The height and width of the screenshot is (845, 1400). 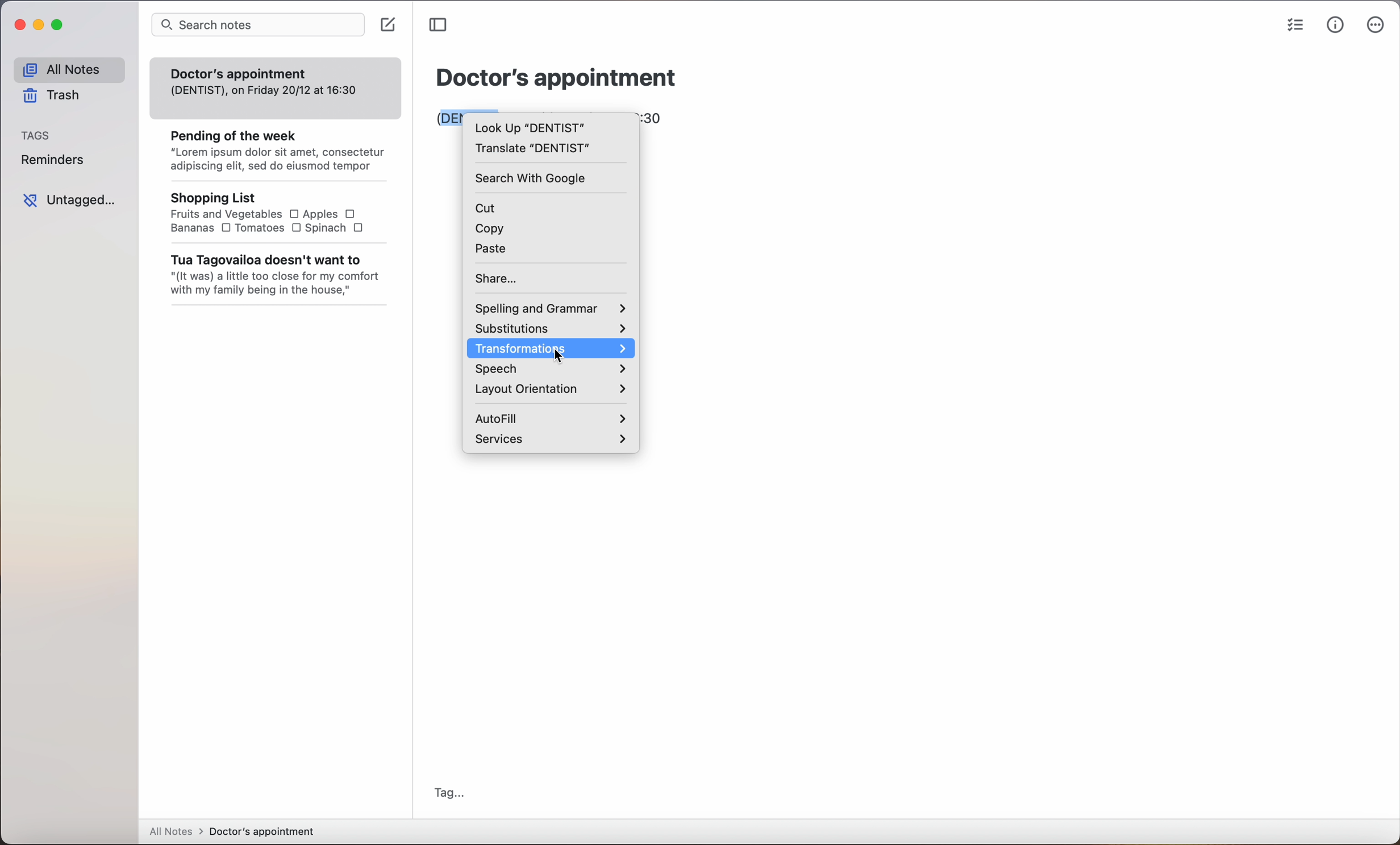 What do you see at coordinates (559, 356) in the screenshot?
I see `cursor` at bounding box center [559, 356].